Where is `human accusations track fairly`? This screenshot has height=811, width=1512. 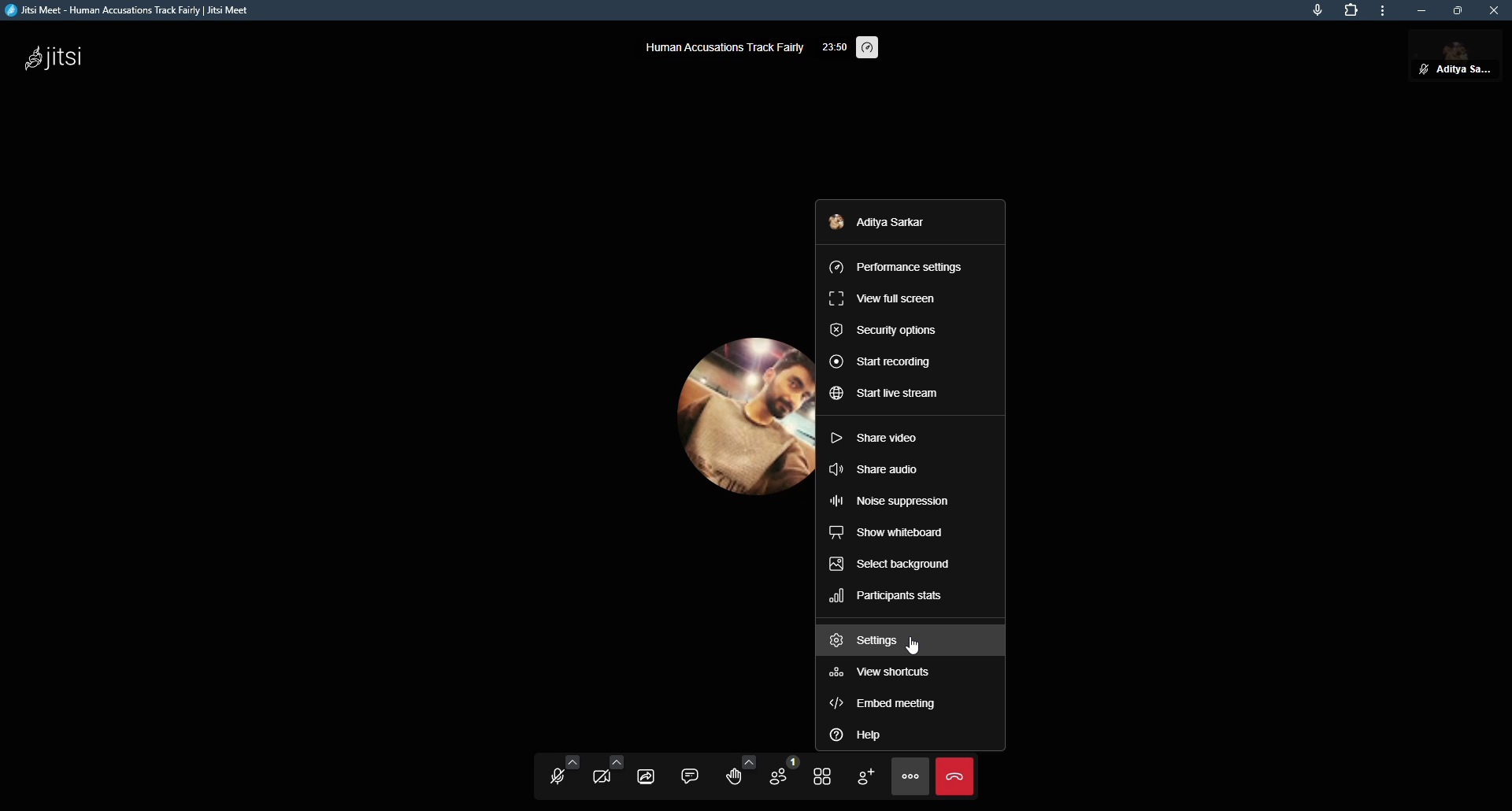
human accusations track fairly is located at coordinates (723, 46).